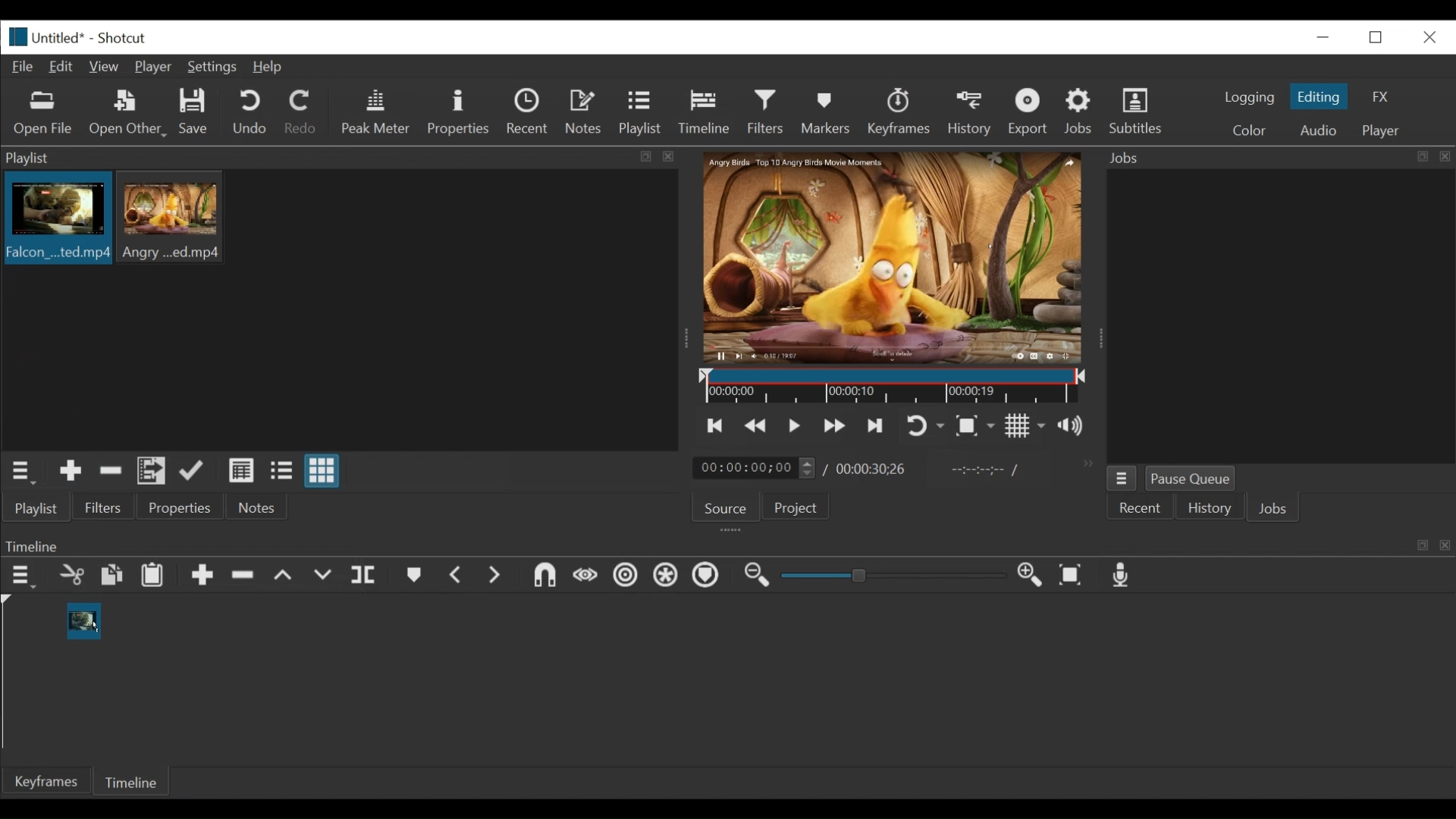  I want to click on jobs menu, so click(1122, 476).